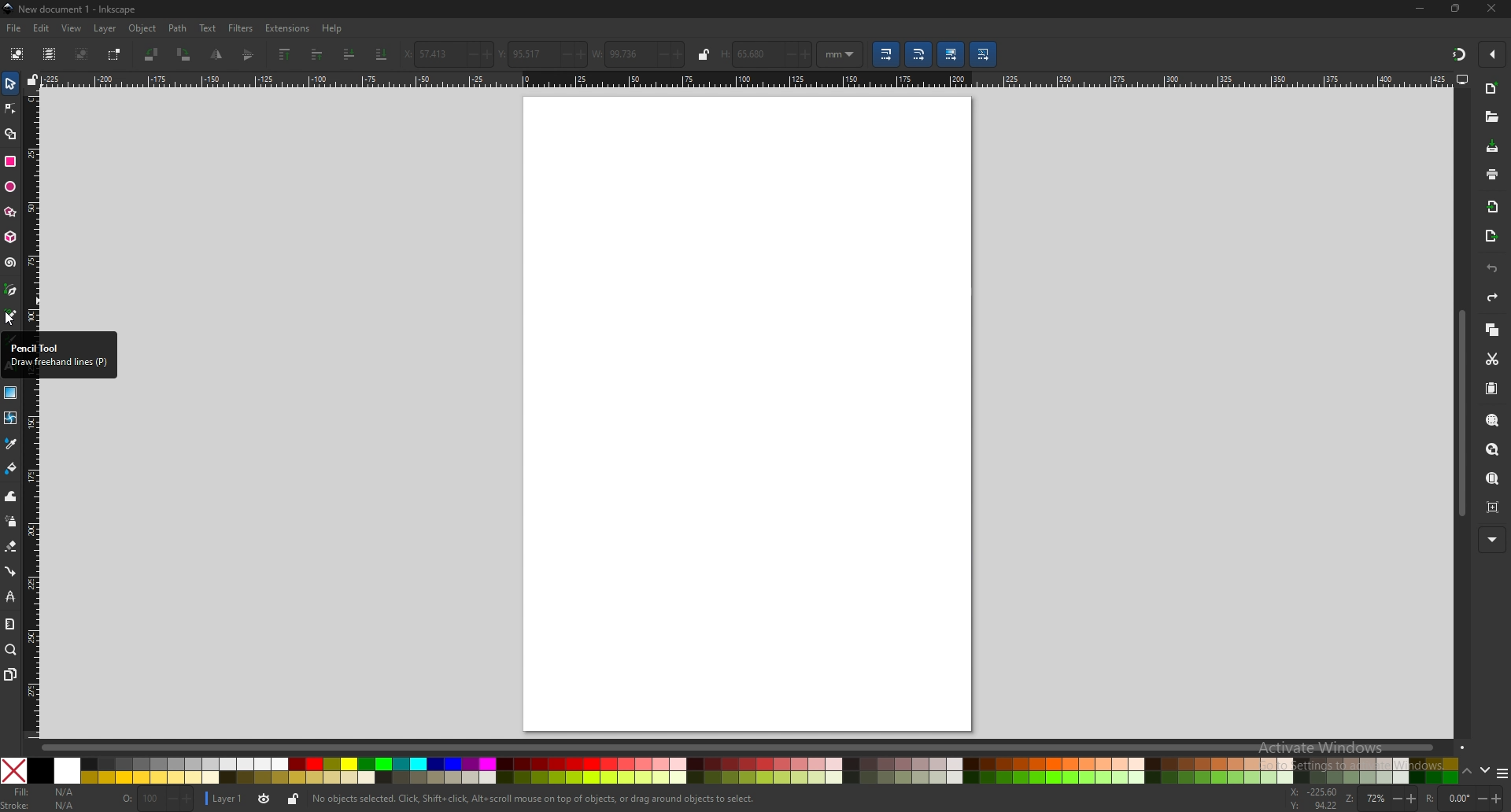 This screenshot has width=1511, height=812. Describe the element at coordinates (332, 28) in the screenshot. I see `help` at that location.